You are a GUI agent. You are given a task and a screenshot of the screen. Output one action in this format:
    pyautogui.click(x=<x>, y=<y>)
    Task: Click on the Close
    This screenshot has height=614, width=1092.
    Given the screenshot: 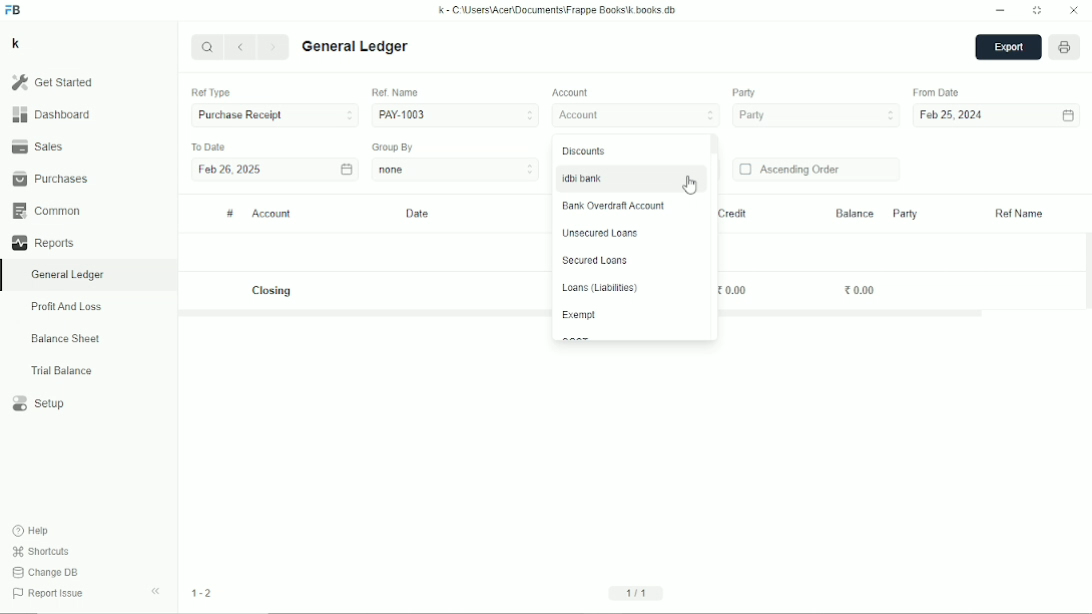 What is the action you would take?
    pyautogui.click(x=1074, y=11)
    